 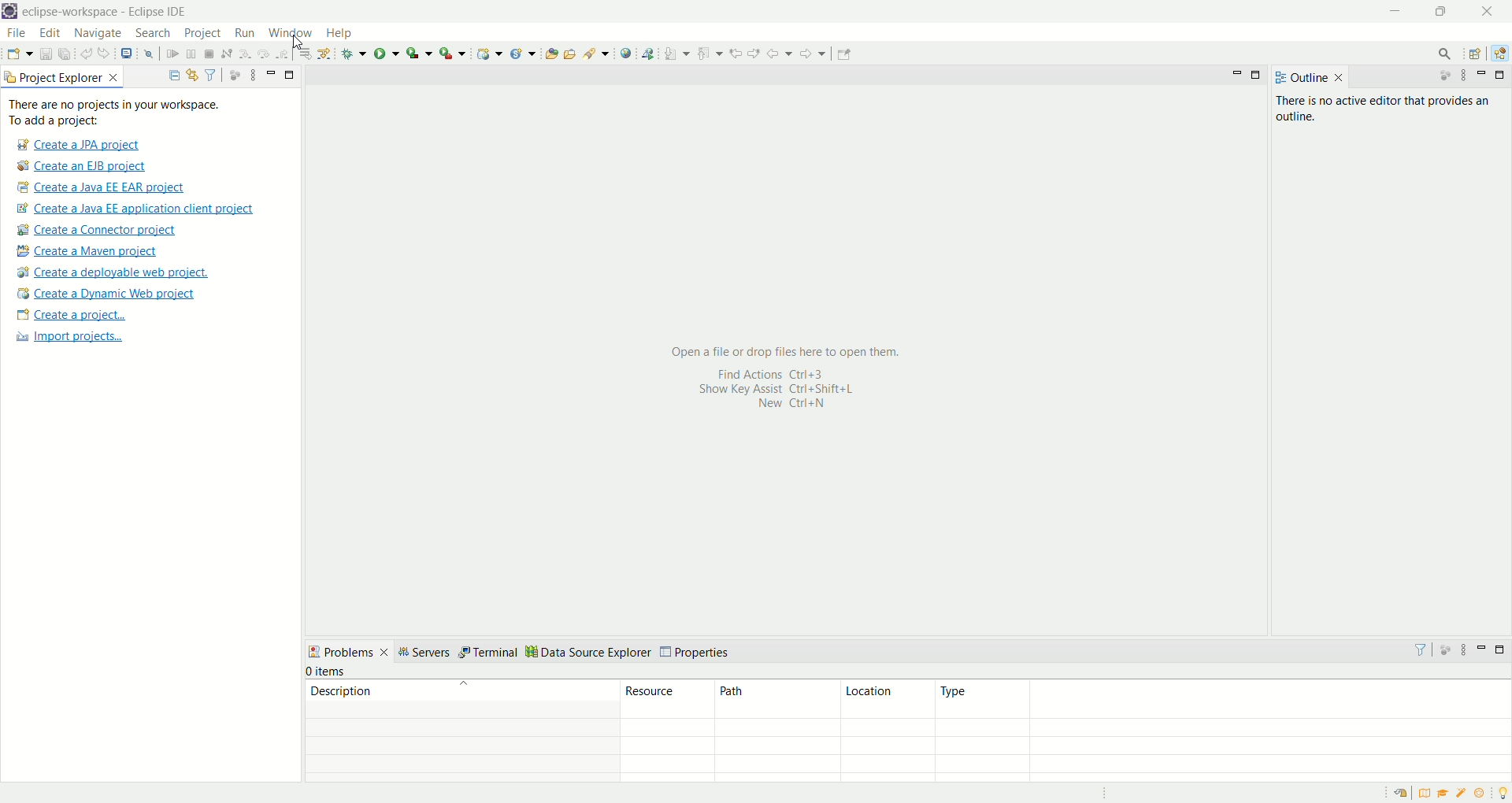 I want to click on project, so click(x=202, y=33).